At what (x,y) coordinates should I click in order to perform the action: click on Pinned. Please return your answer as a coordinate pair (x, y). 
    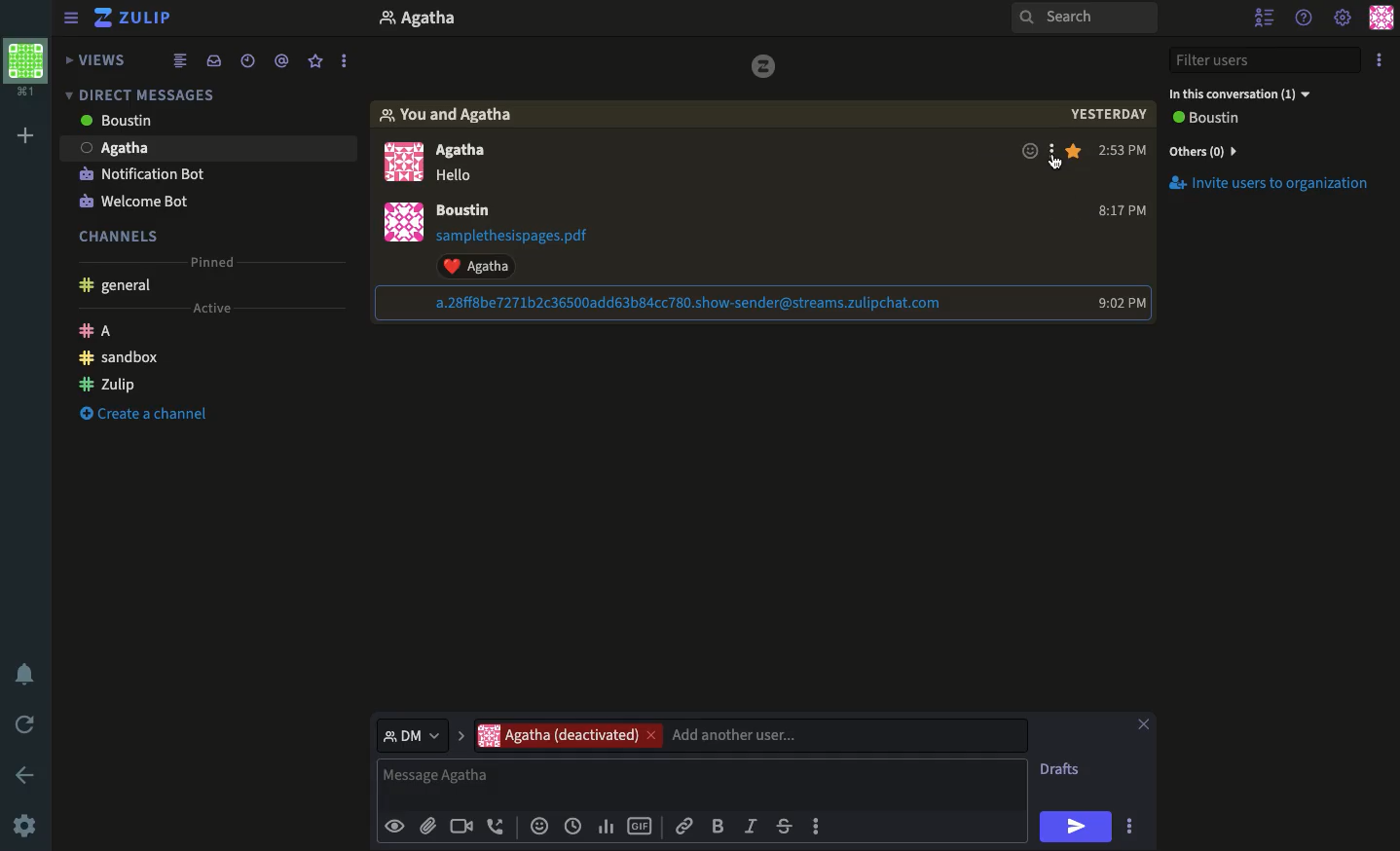
    Looking at the image, I should click on (218, 263).